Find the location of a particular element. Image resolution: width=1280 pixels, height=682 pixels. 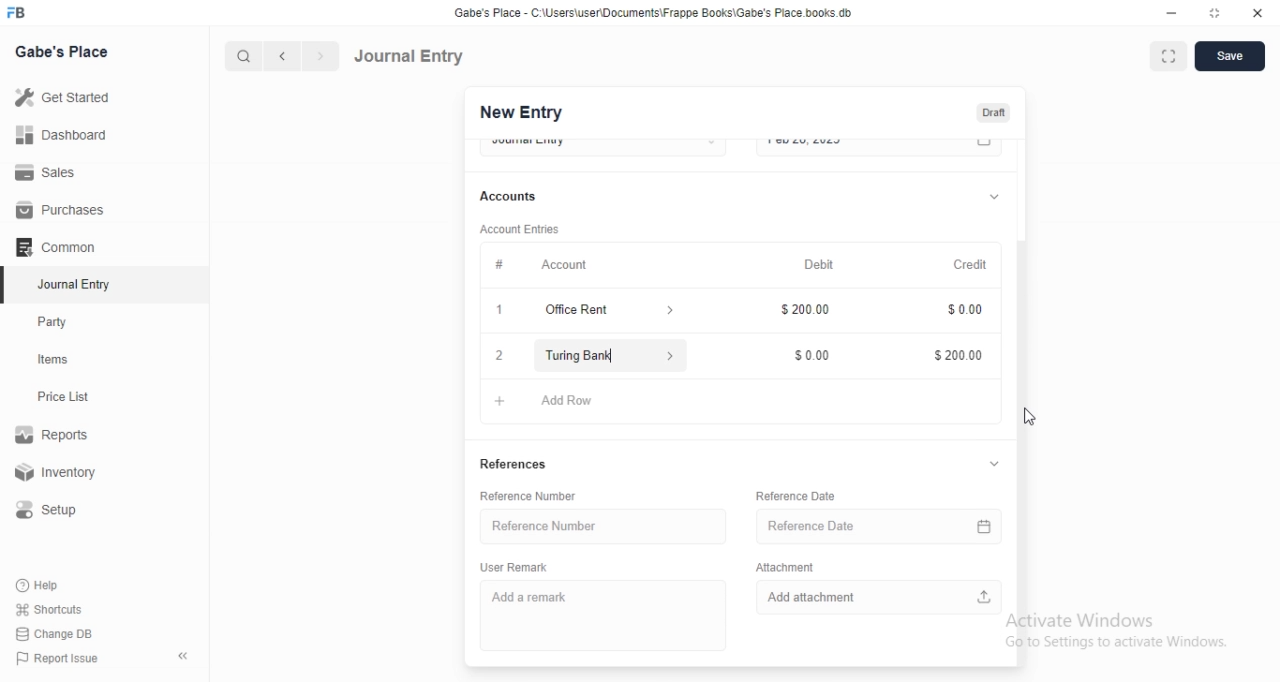

save is located at coordinates (1226, 58).